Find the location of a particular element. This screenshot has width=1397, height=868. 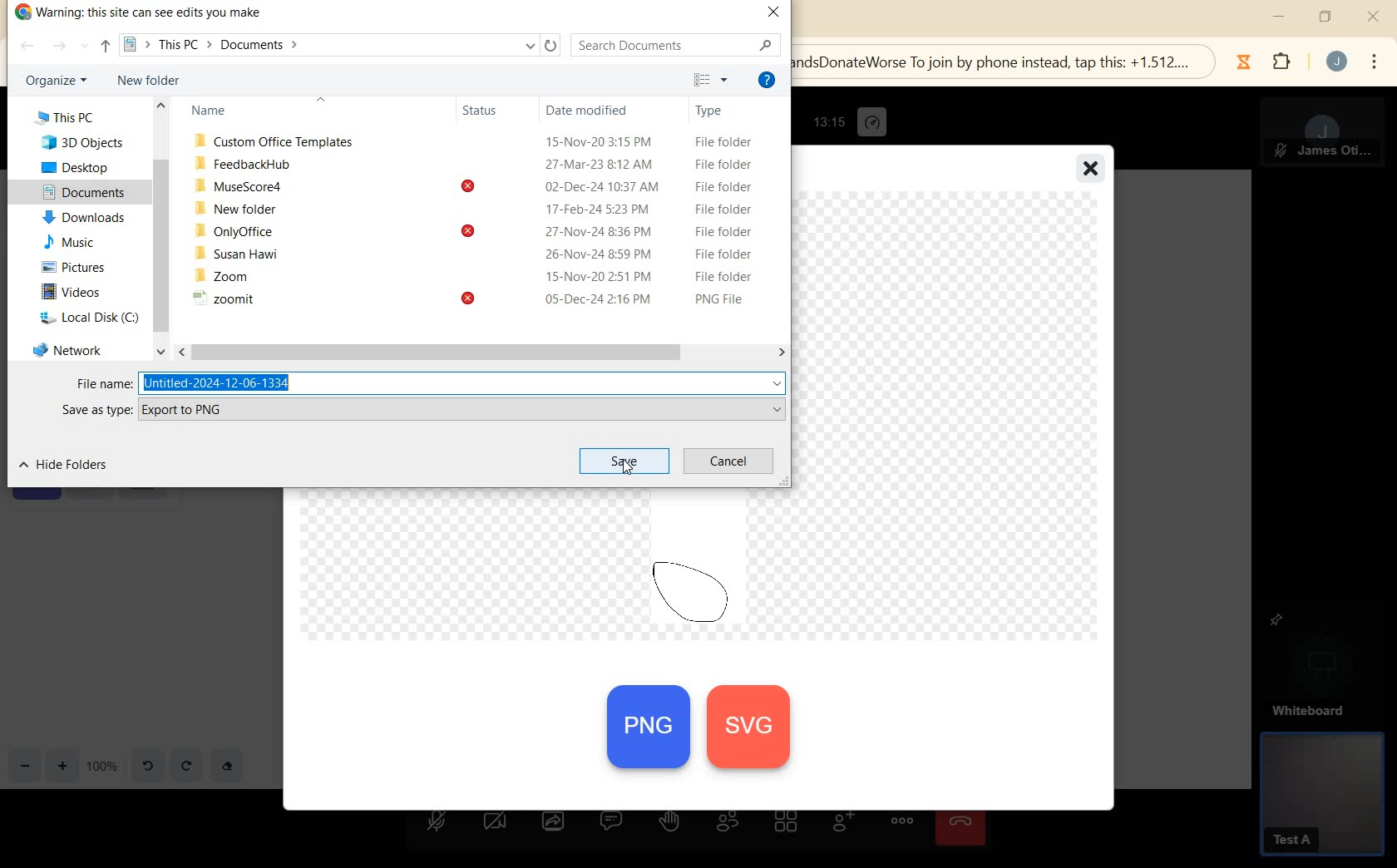

File folder is located at coordinates (725, 277).